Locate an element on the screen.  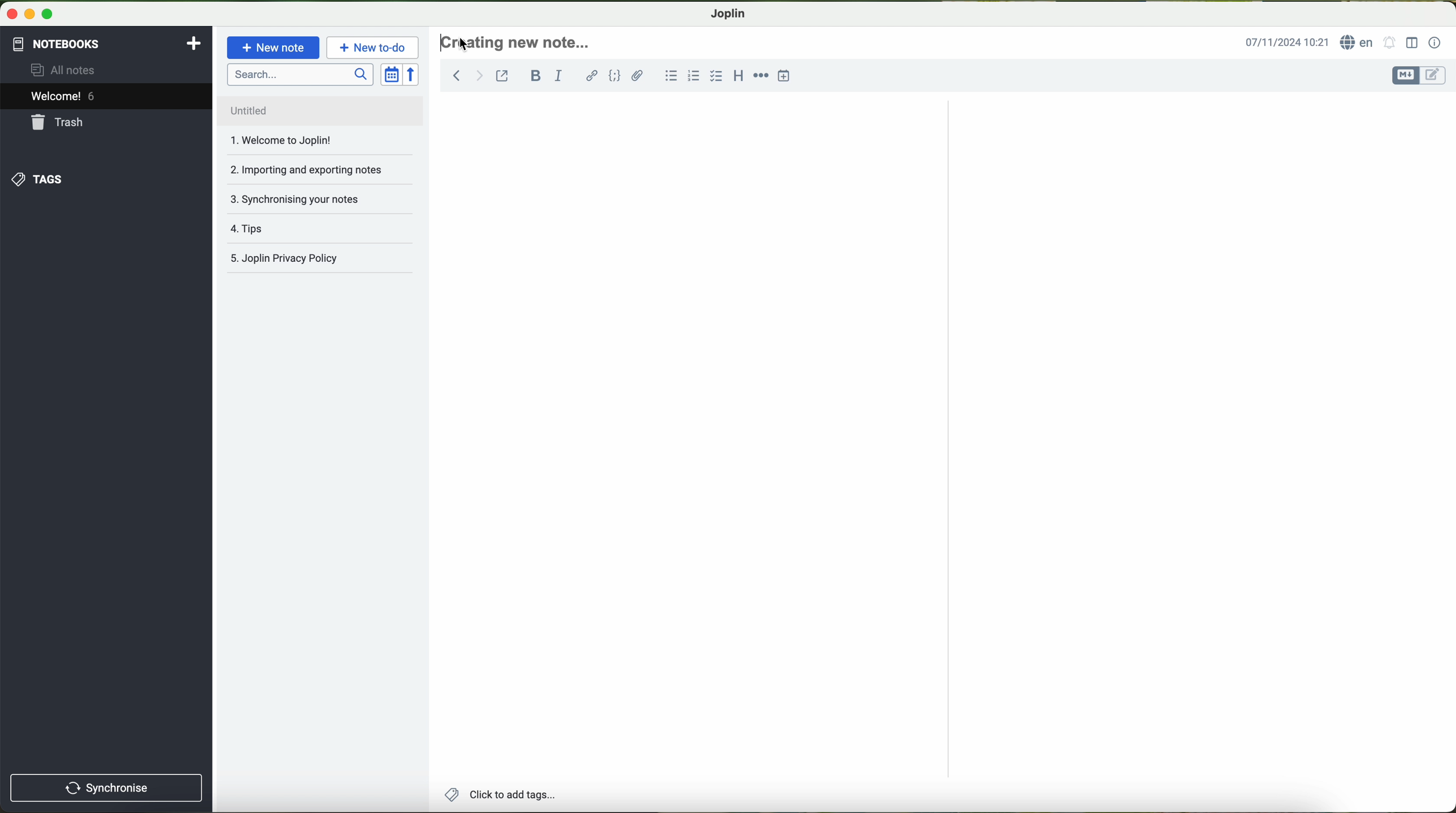
toggle editor layout is located at coordinates (1412, 43).